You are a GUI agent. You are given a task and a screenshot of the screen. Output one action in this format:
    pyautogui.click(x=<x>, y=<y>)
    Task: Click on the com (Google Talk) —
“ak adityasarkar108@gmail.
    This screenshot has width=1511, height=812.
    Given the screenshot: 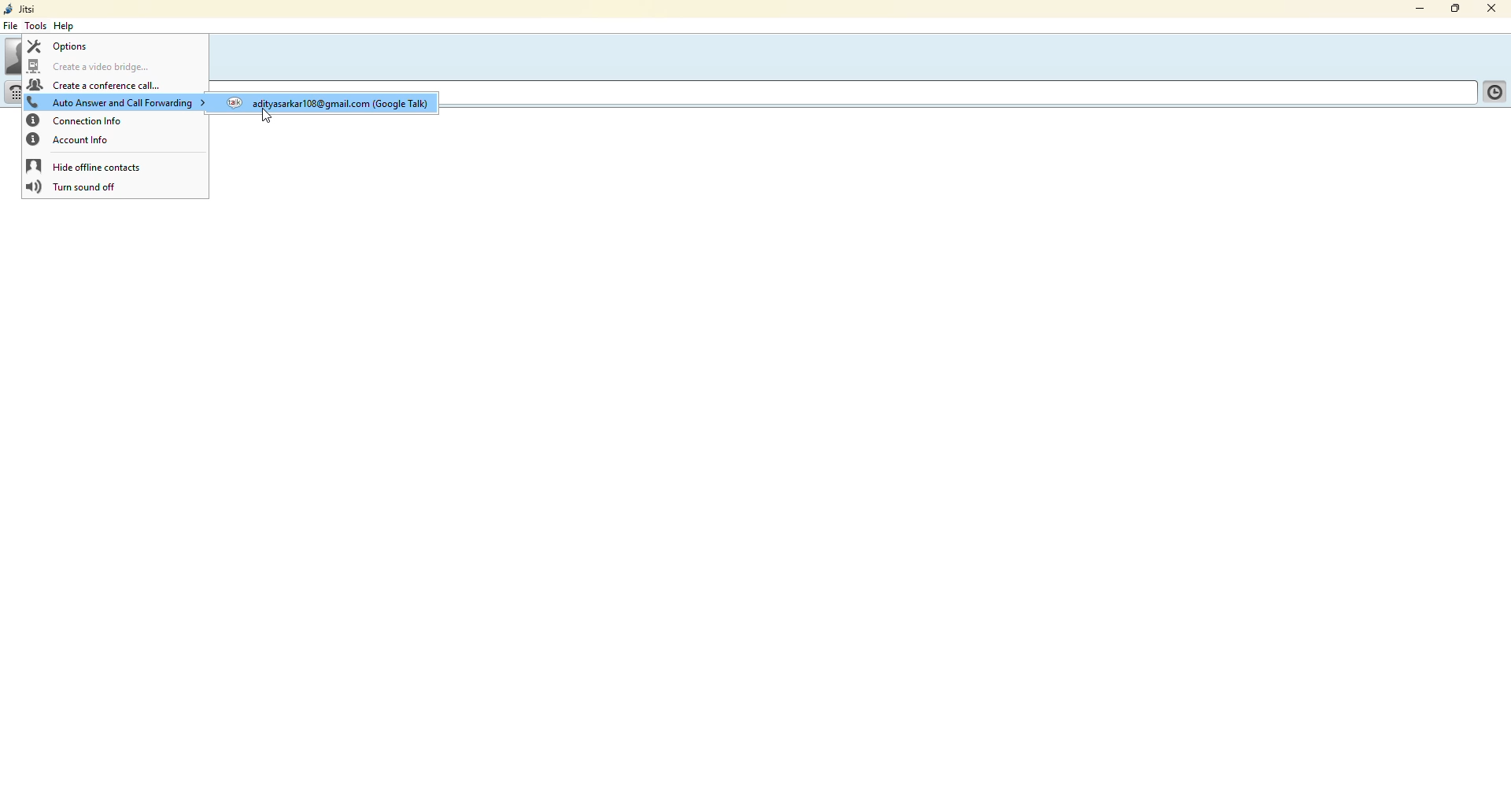 What is the action you would take?
    pyautogui.click(x=347, y=106)
    